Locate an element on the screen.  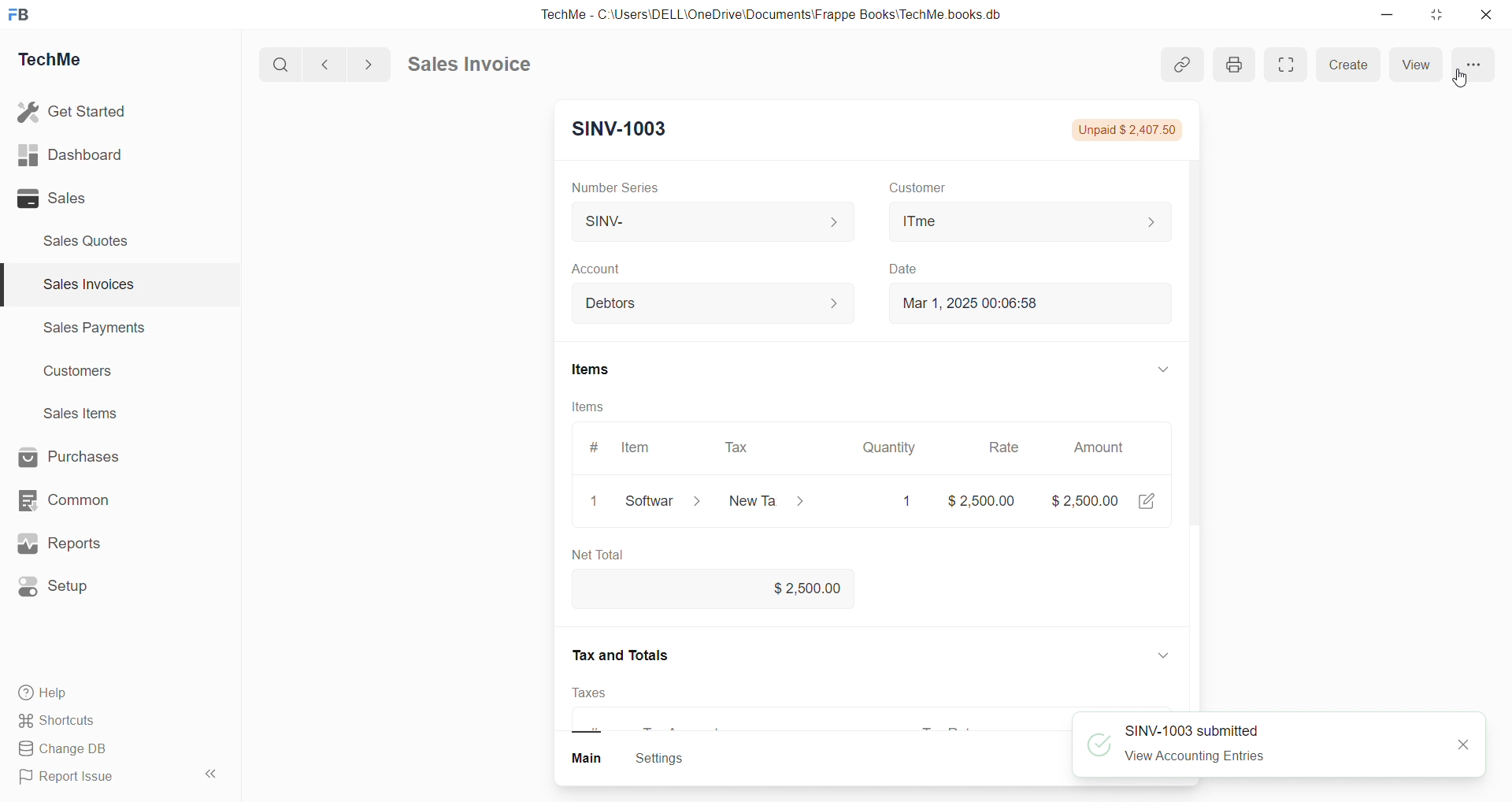
8 Sales is located at coordinates (55, 198).